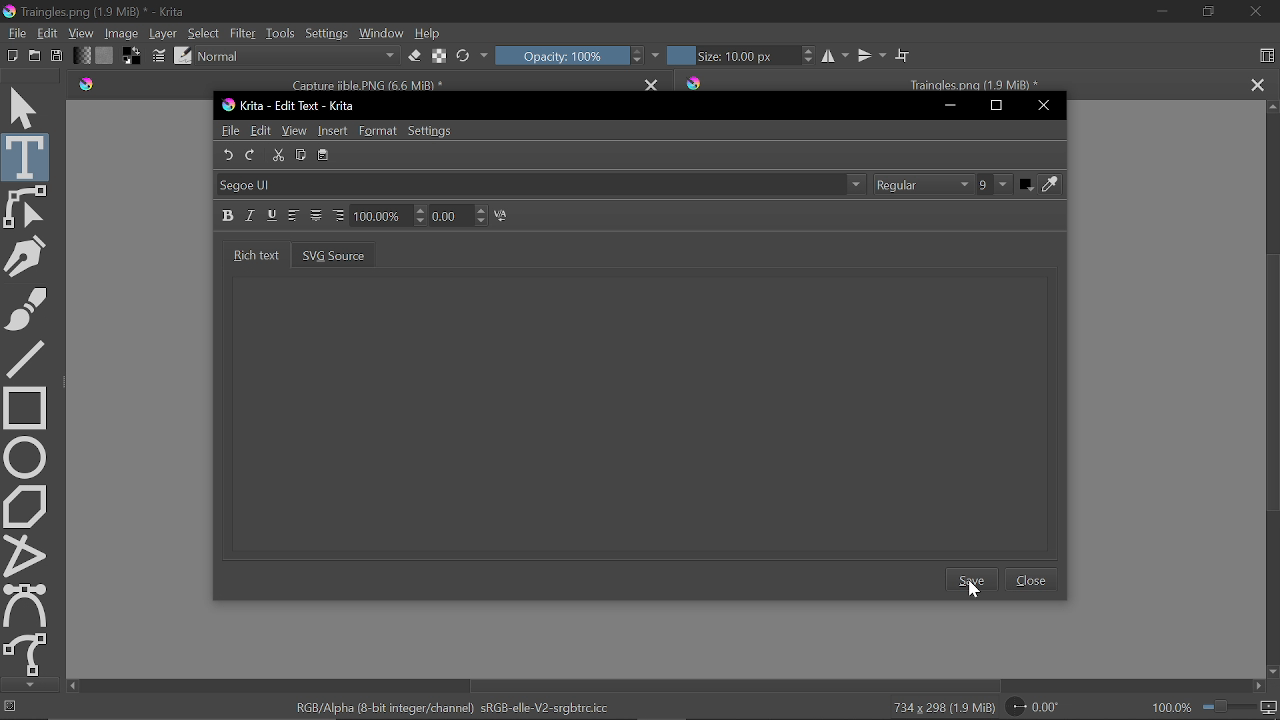 This screenshot has width=1280, height=720. What do you see at coordinates (1030, 579) in the screenshot?
I see `Close` at bounding box center [1030, 579].